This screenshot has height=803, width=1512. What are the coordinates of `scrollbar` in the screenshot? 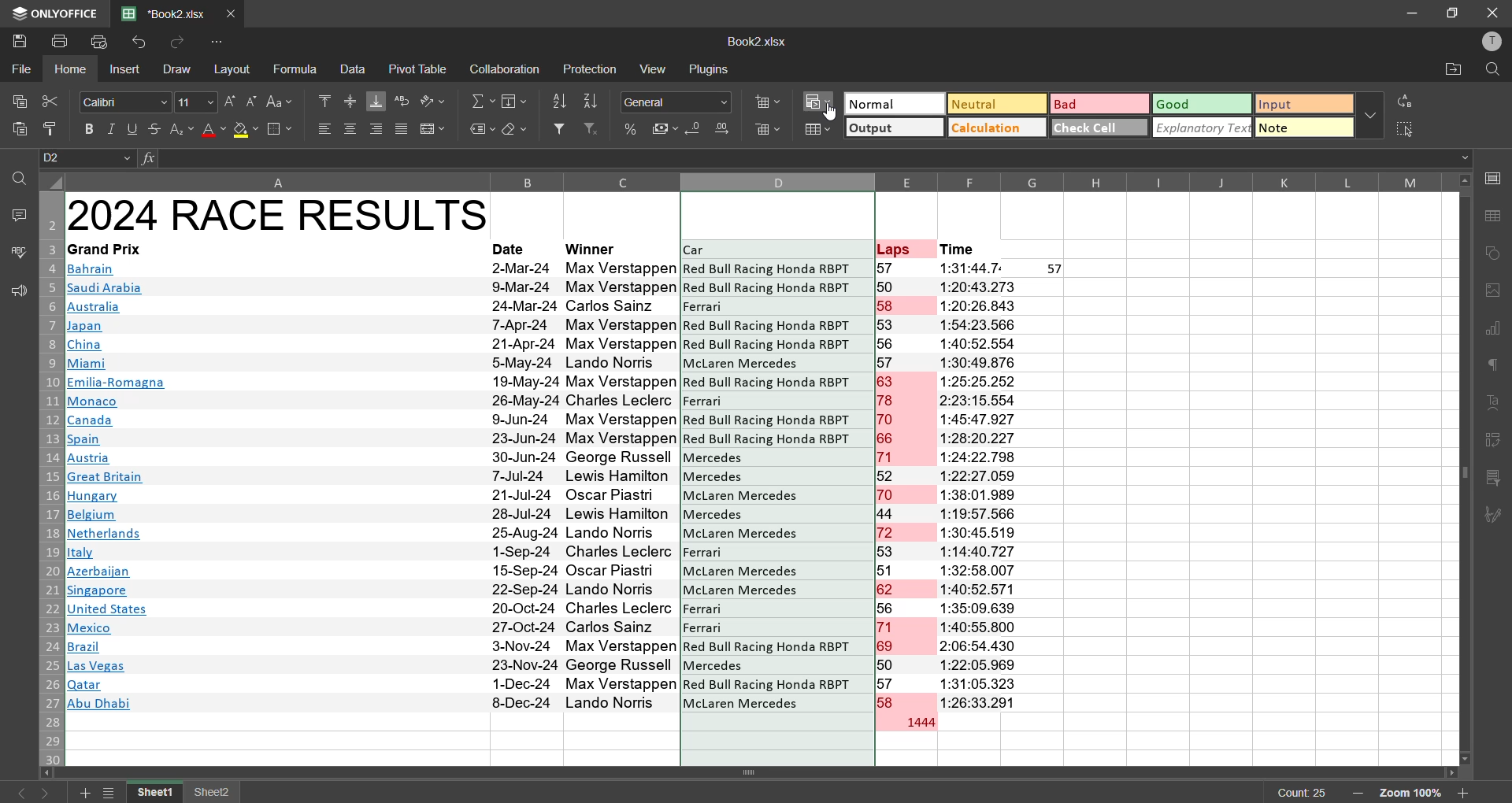 It's located at (754, 773).